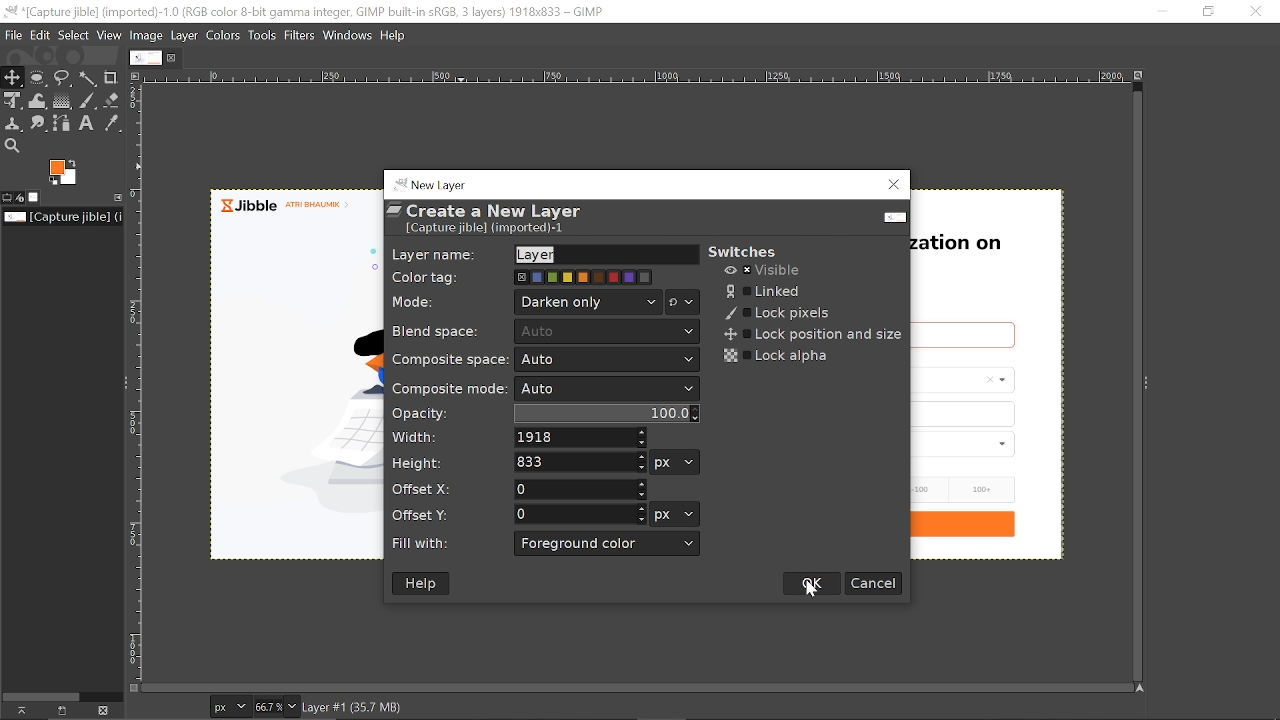  Describe the element at coordinates (579, 490) in the screenshot. I see `Offset X` at that location.